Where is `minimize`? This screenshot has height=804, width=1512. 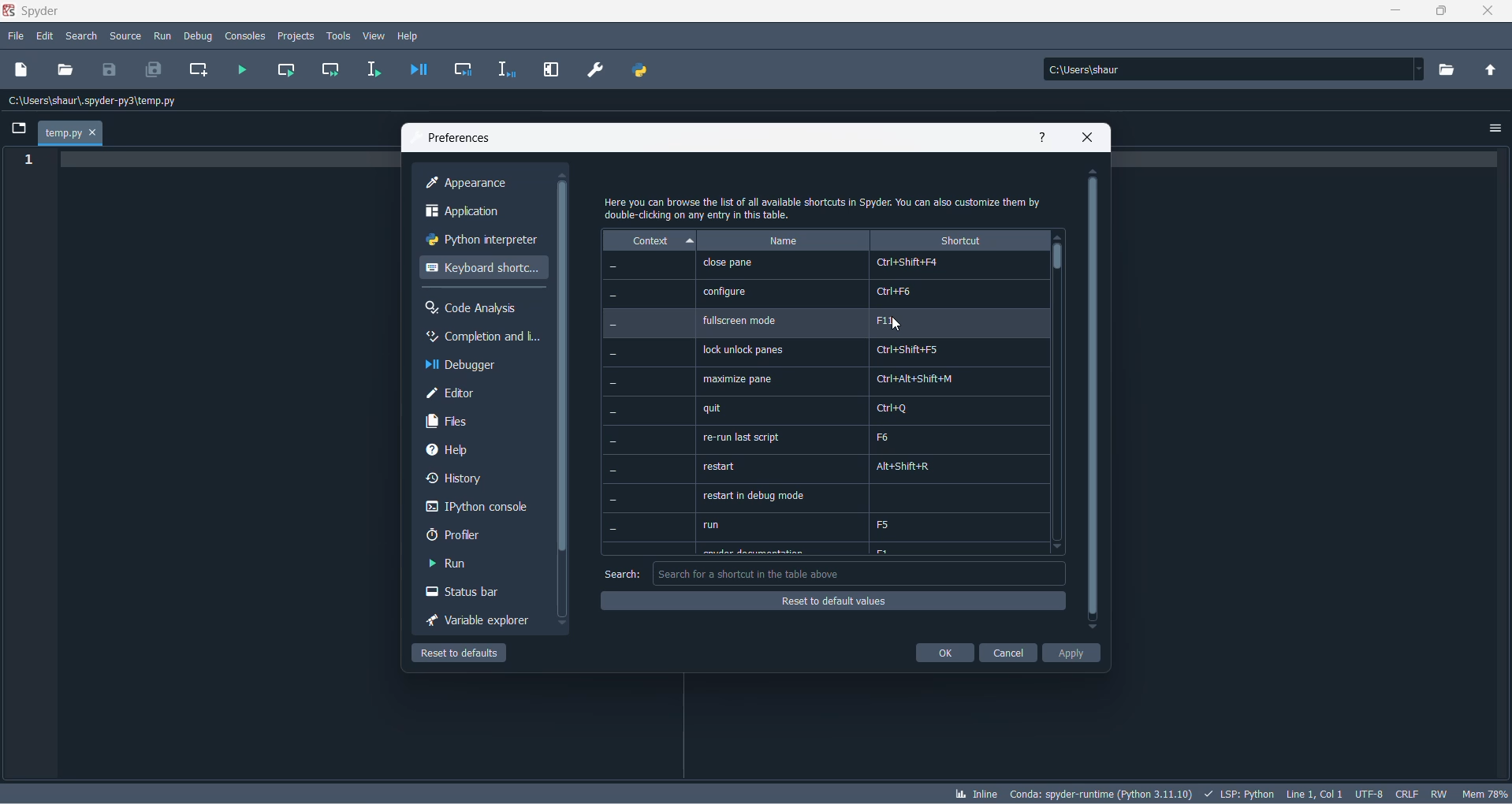
minimize is located at coordinates (1399, 13).